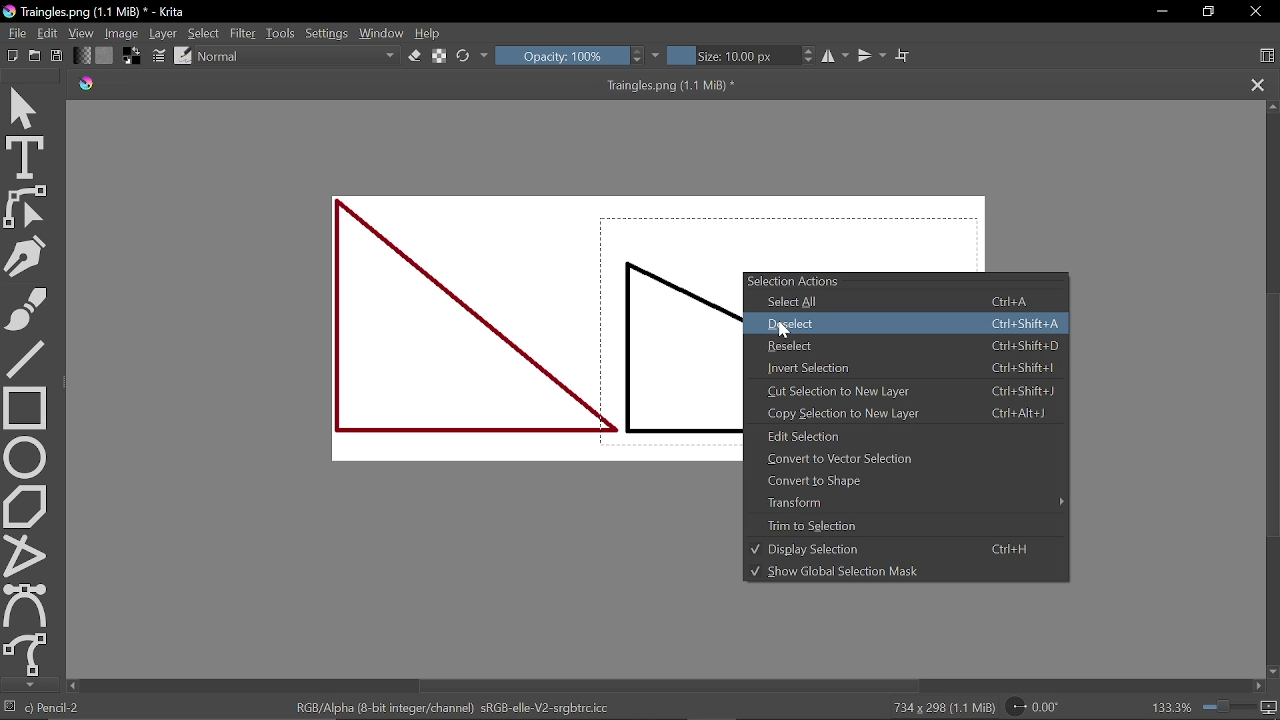  I want to click on 734 x 296 (1.1 MiB), so click(940, 707).